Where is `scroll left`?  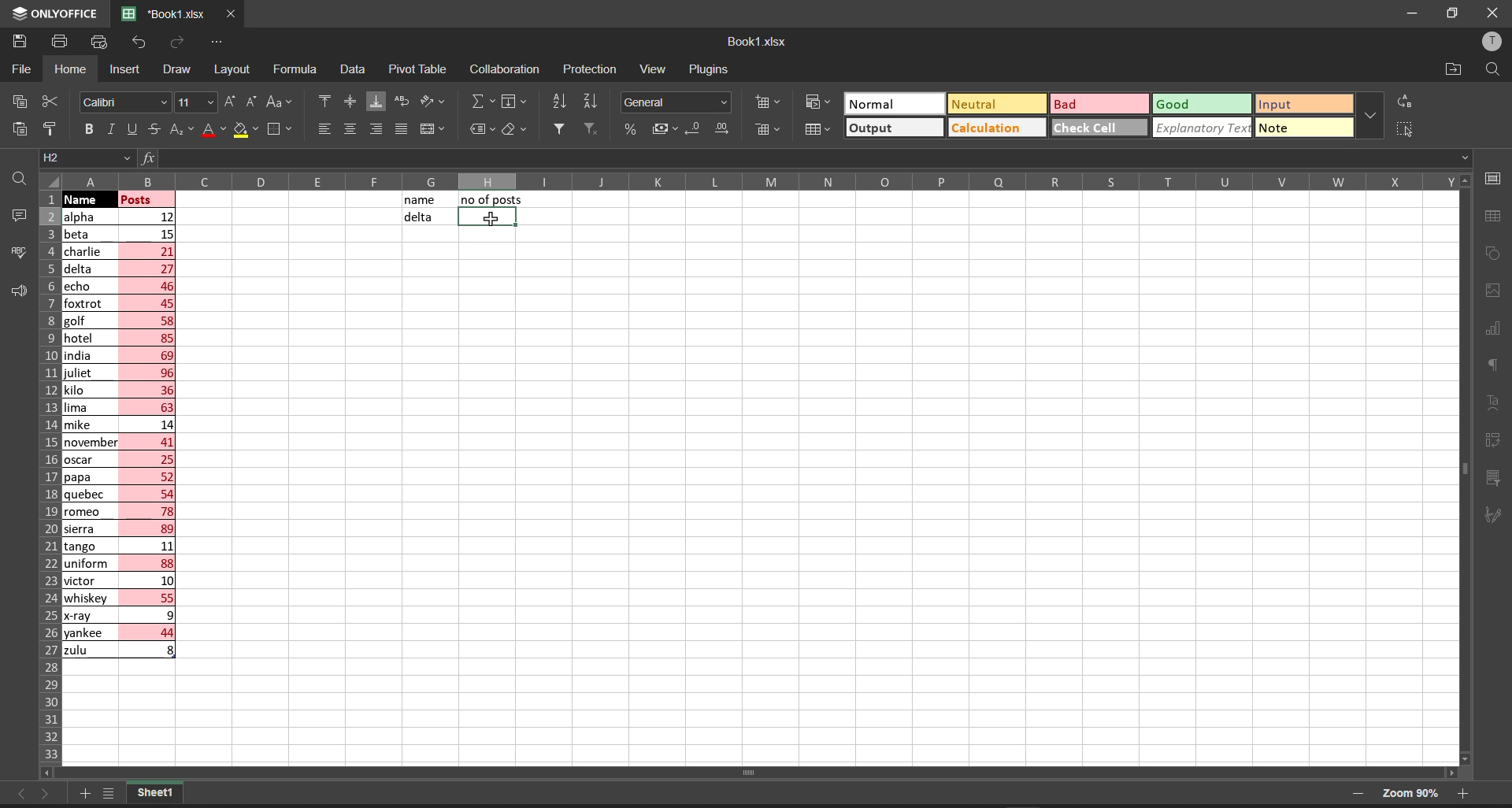
scroll left is located at coordinates (55, 772).